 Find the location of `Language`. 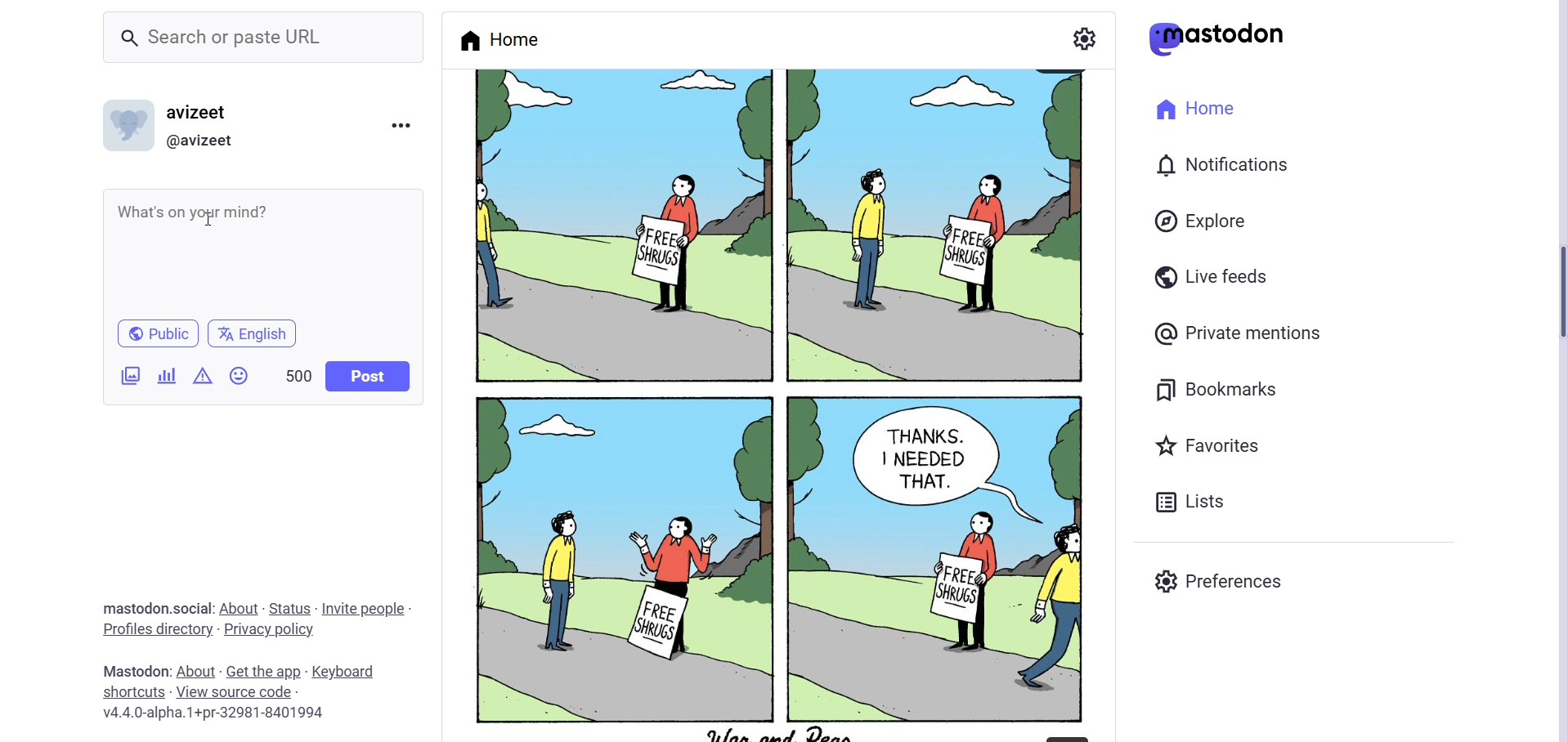

Language is located at coordinates (253, 333).